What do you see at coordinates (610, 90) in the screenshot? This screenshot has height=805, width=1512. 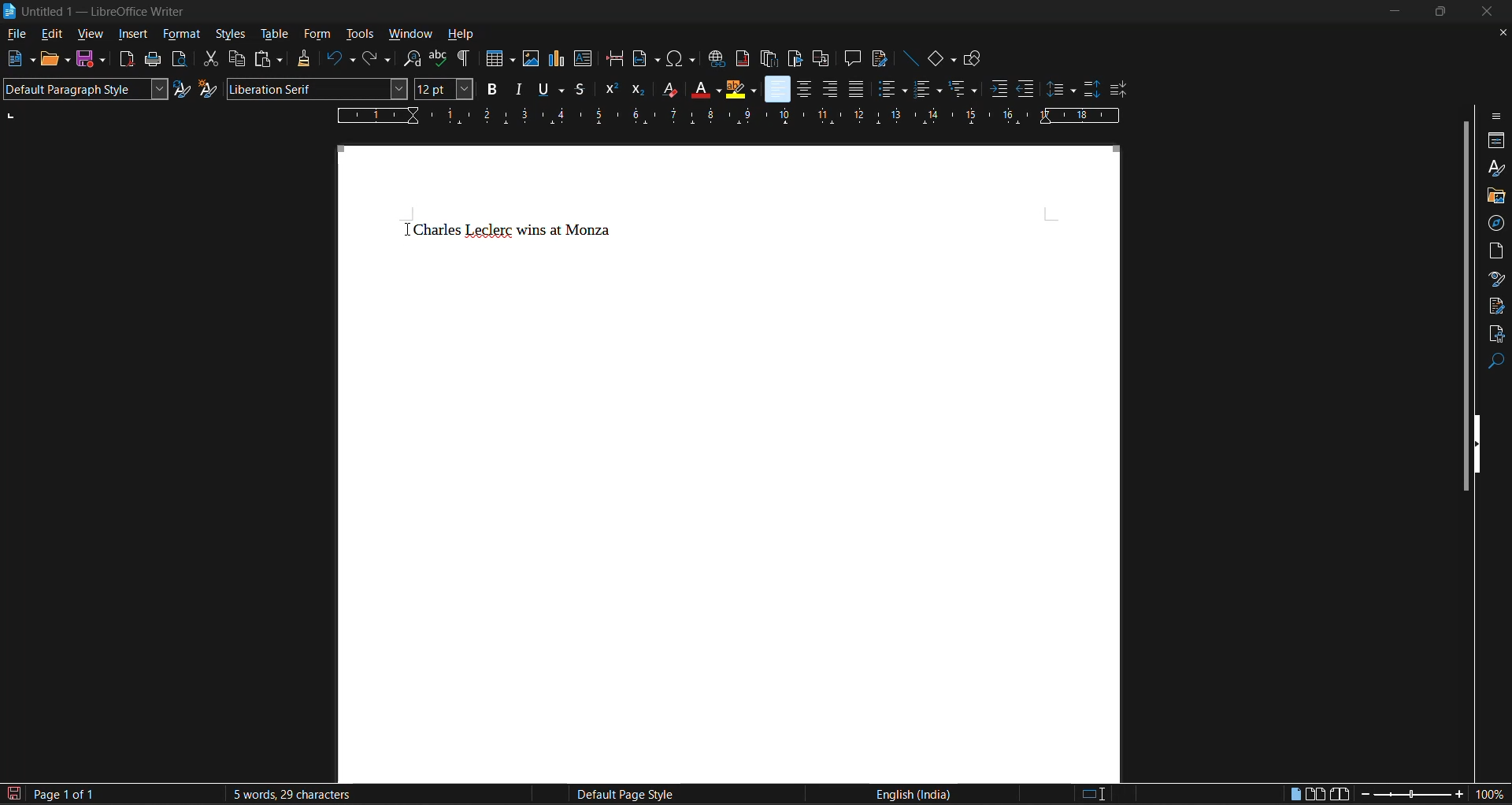 I see `superscipt` at bounding box center [610, 90].